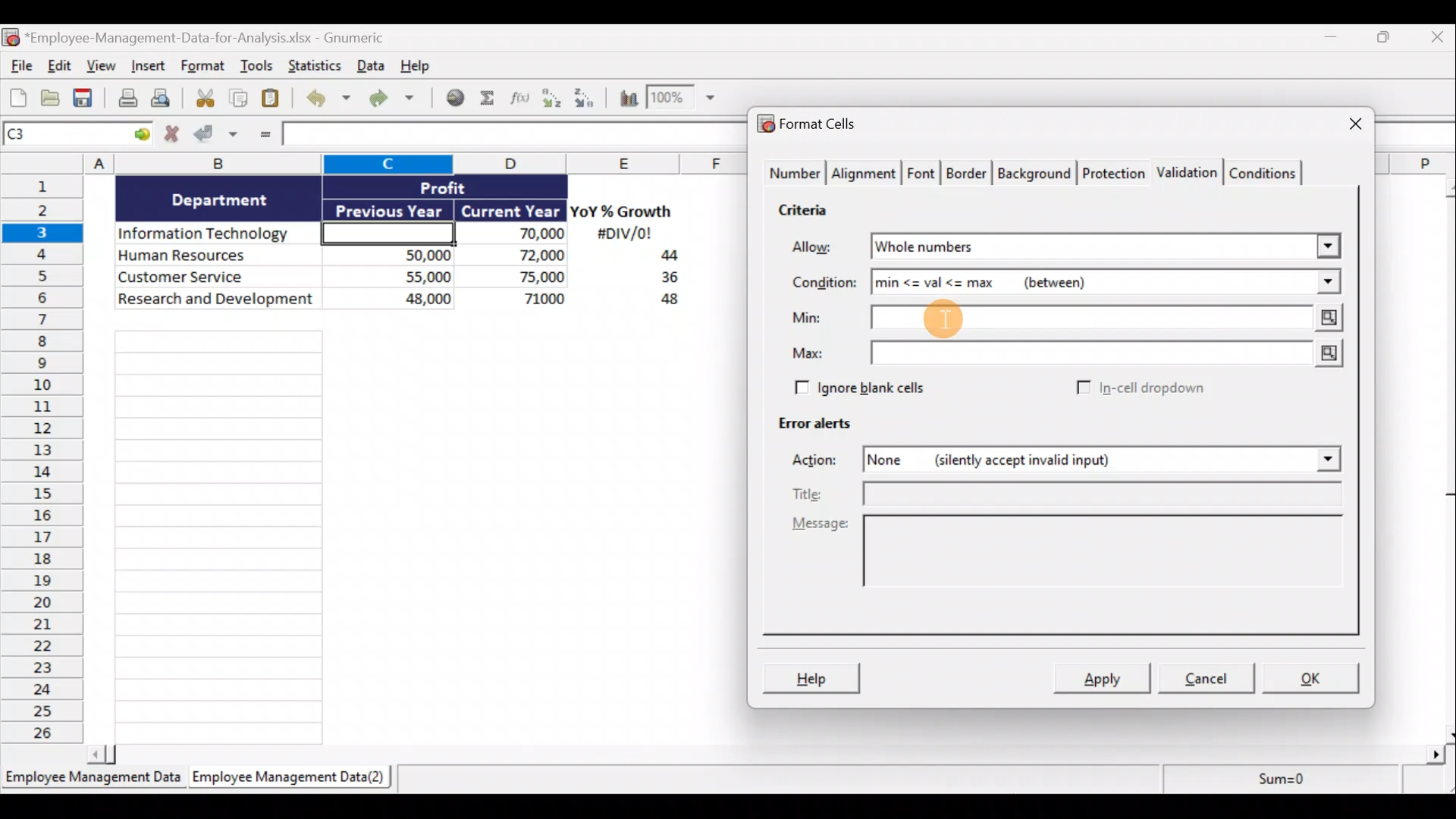 The width and height of the screenshot is (1456, 819). I want to click on Scroll bar, so click(1443, 457).